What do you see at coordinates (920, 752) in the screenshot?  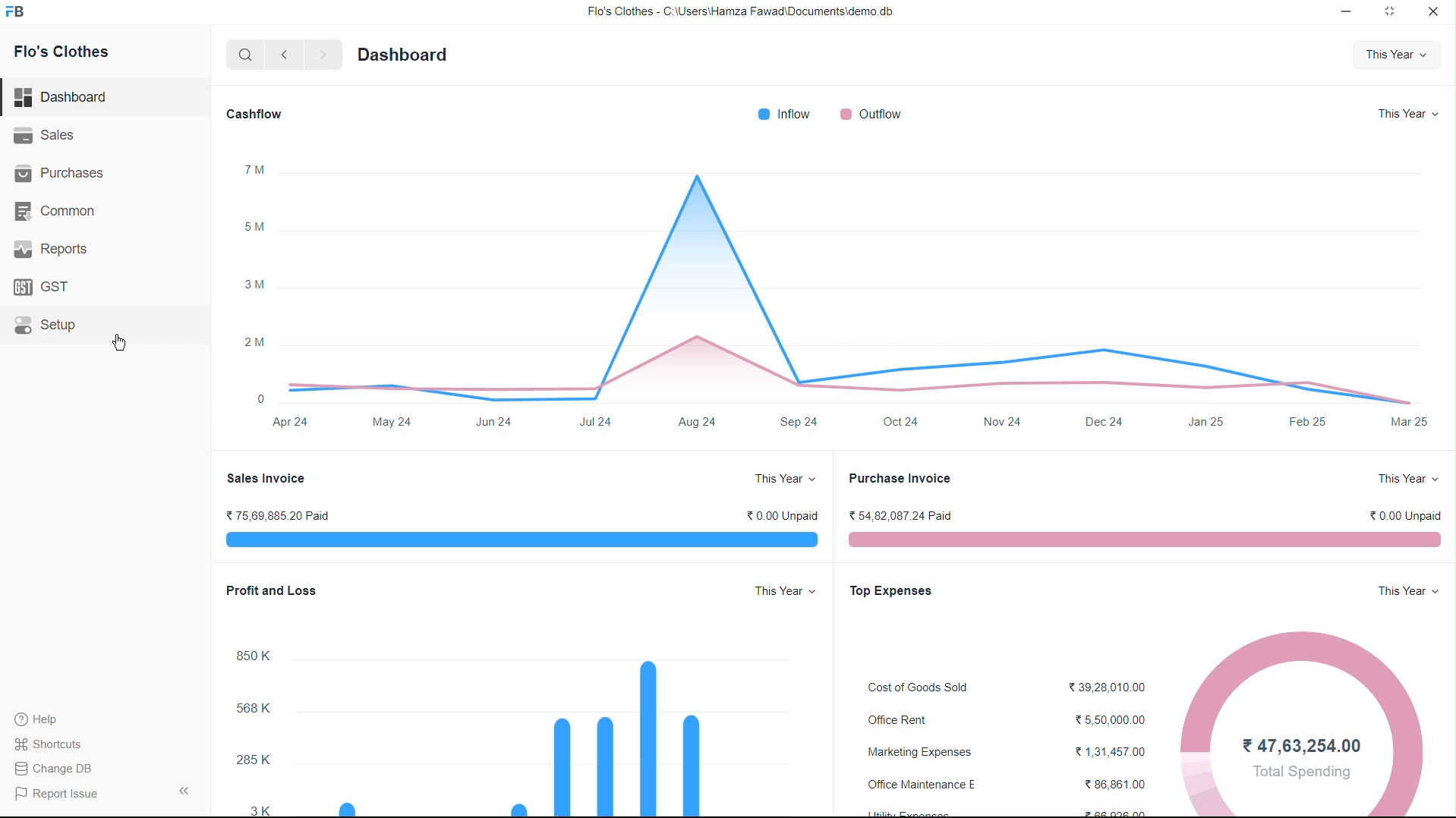 I see `Marketing Expenses` at bounding box center [920, 752].